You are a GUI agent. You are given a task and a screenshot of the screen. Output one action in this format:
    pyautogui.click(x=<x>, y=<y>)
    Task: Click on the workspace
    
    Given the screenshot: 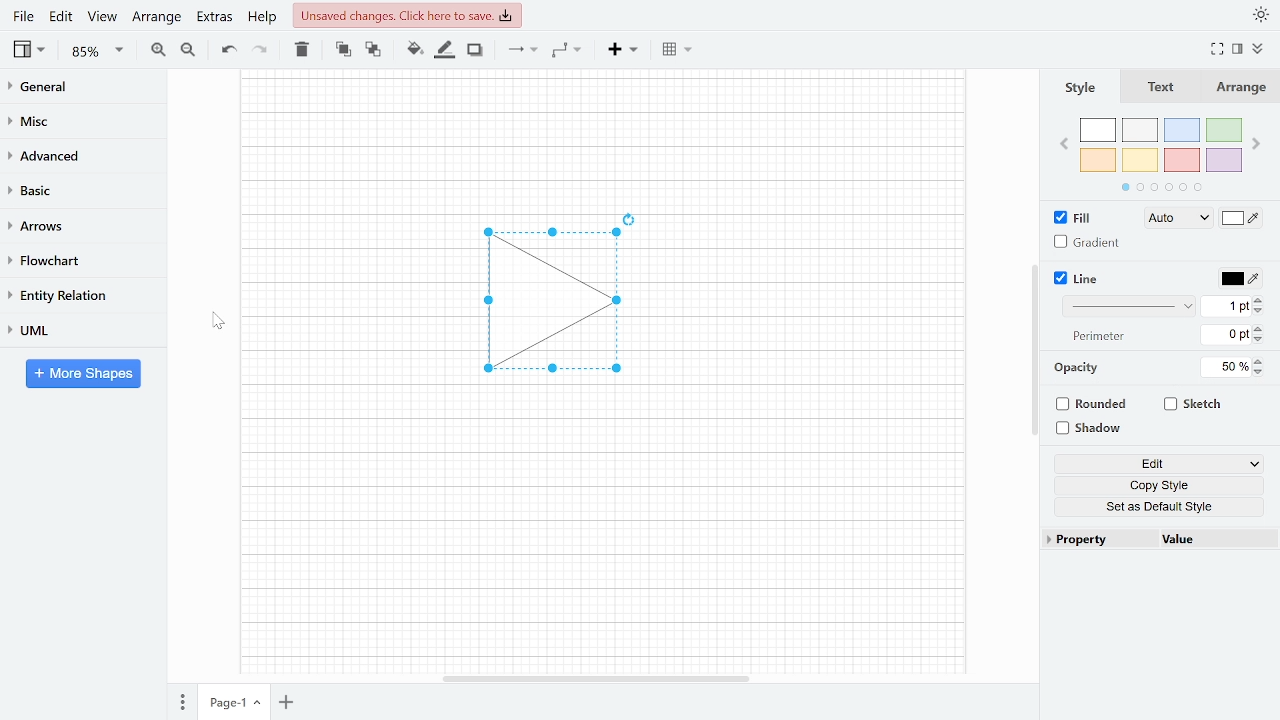 What is the action you would take?
    pyautogui.click(x=343, y=302)
    